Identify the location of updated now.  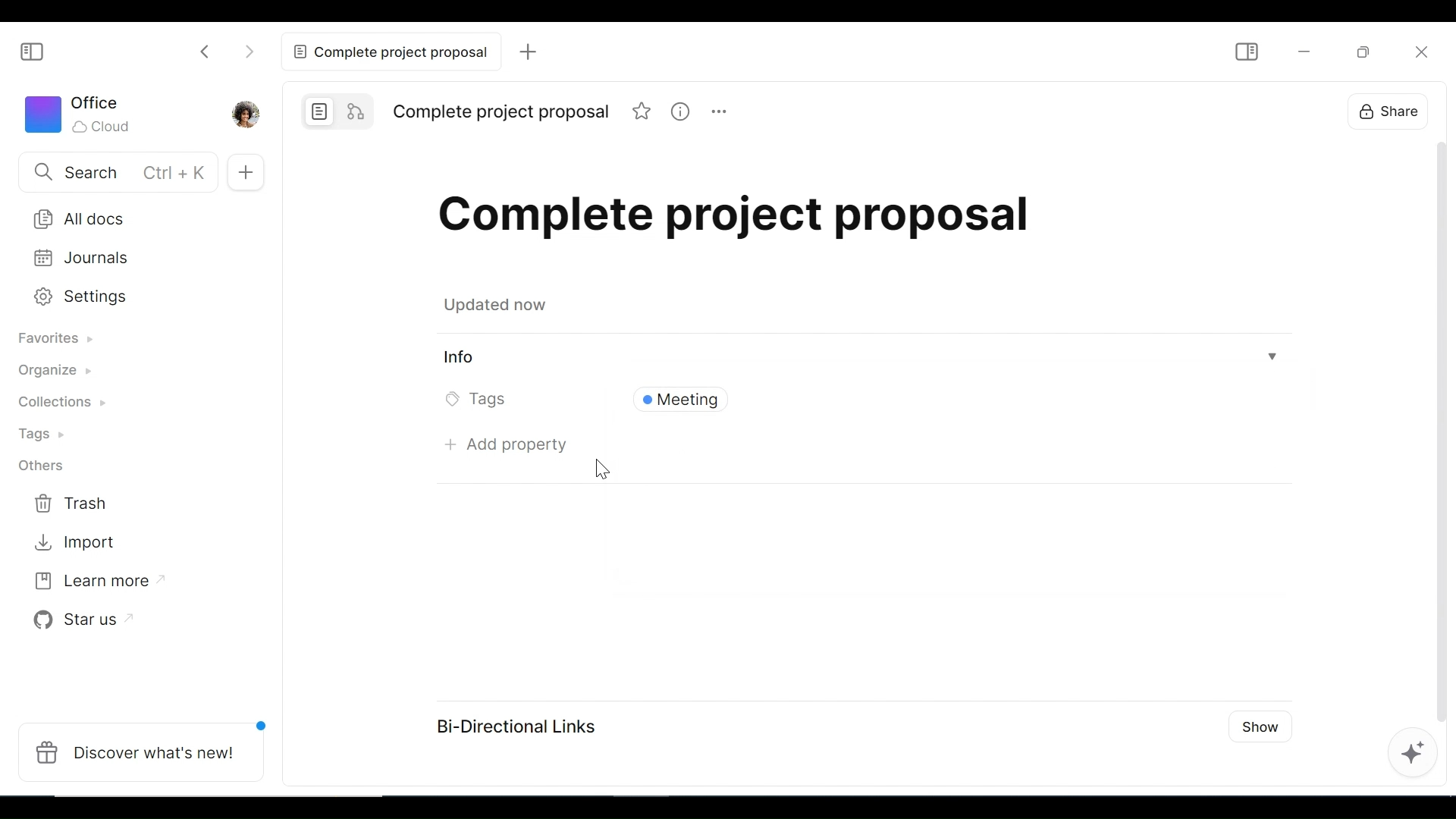
(499, 305).